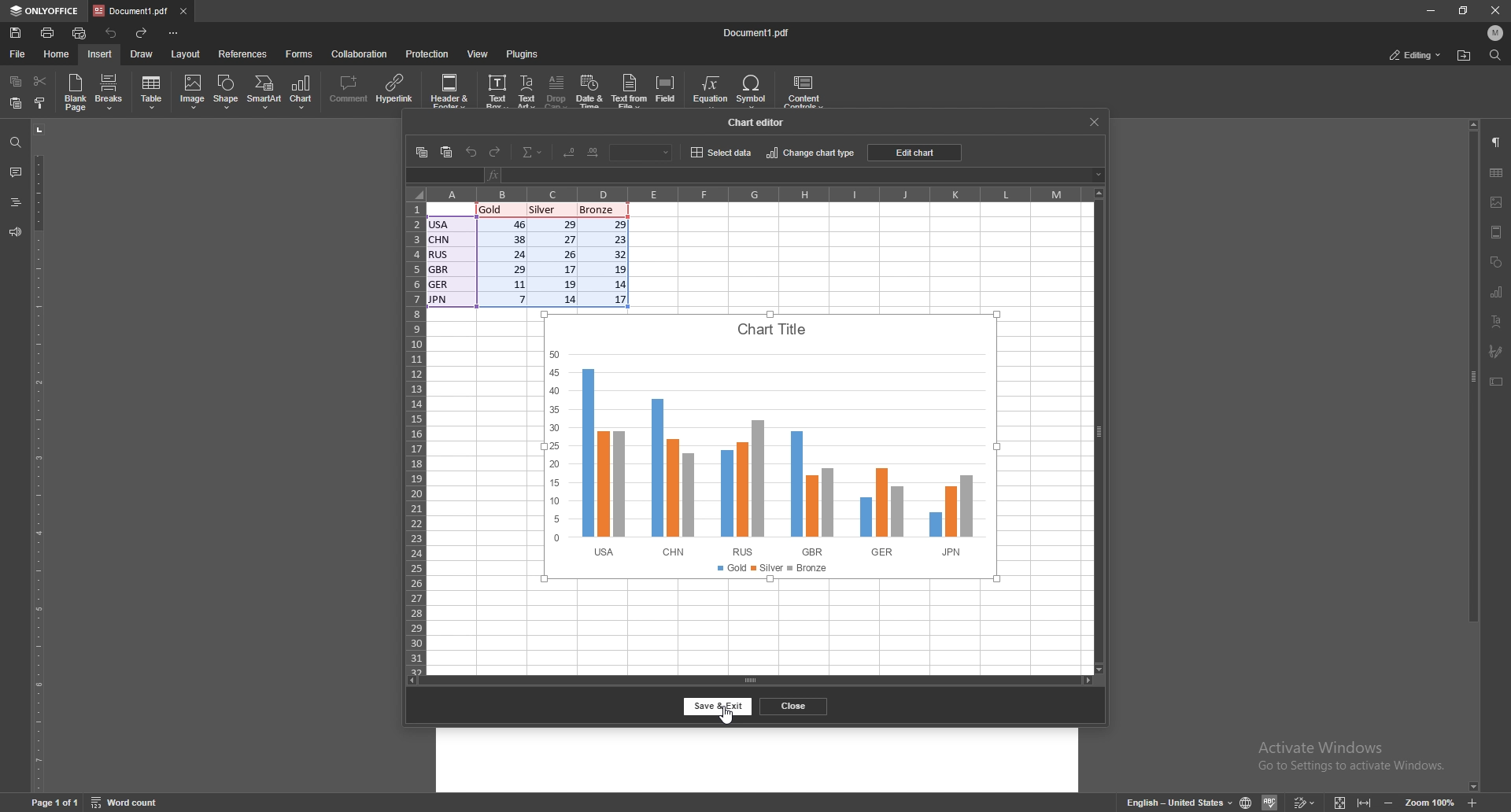 The width and height of the screenshot is (1511, 812). Describe the element at coordinates (100, 54) in the screenshot. I see `insert` at that location.